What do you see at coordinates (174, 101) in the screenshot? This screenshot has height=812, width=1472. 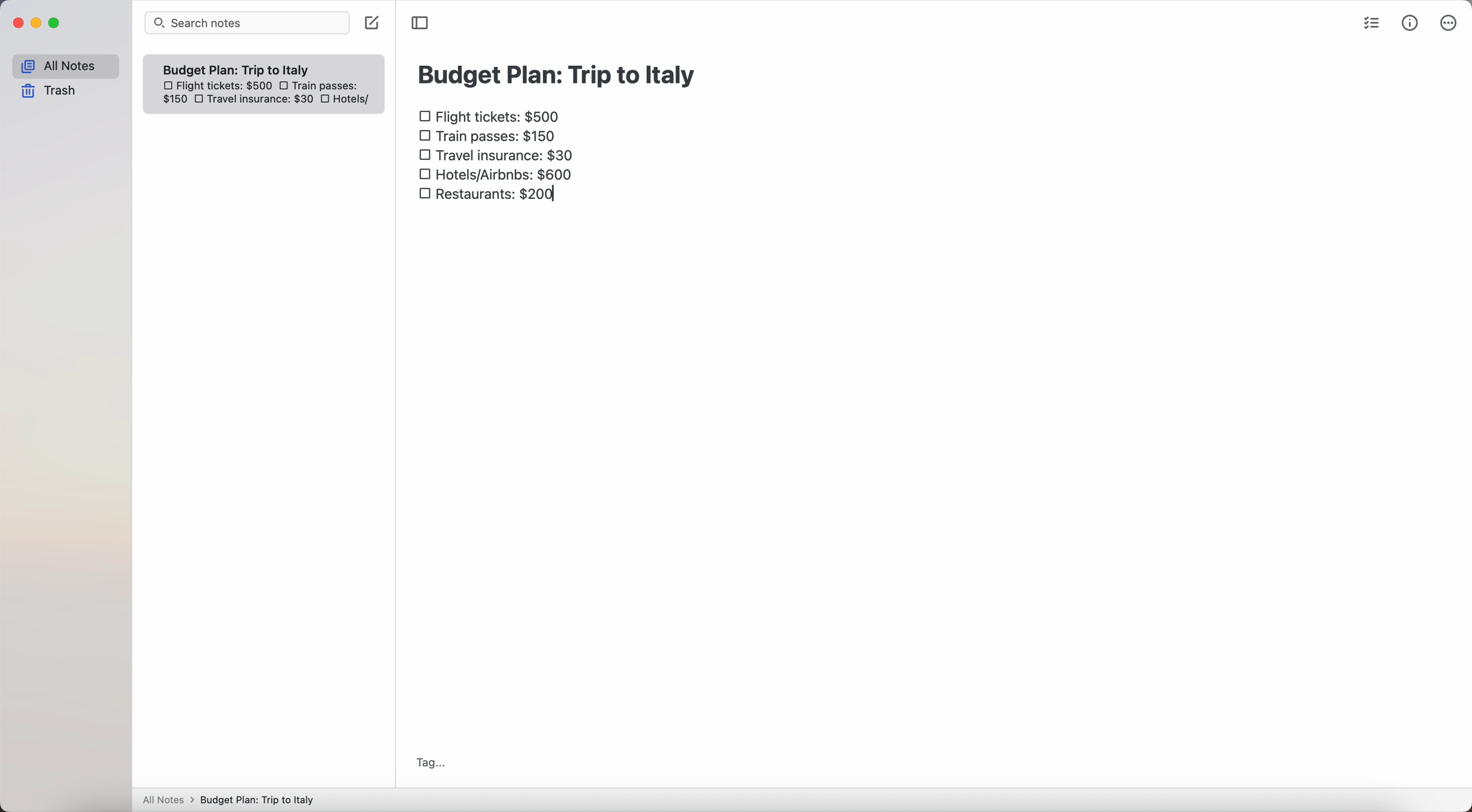 I see `150` at bounding box center [174, 101].